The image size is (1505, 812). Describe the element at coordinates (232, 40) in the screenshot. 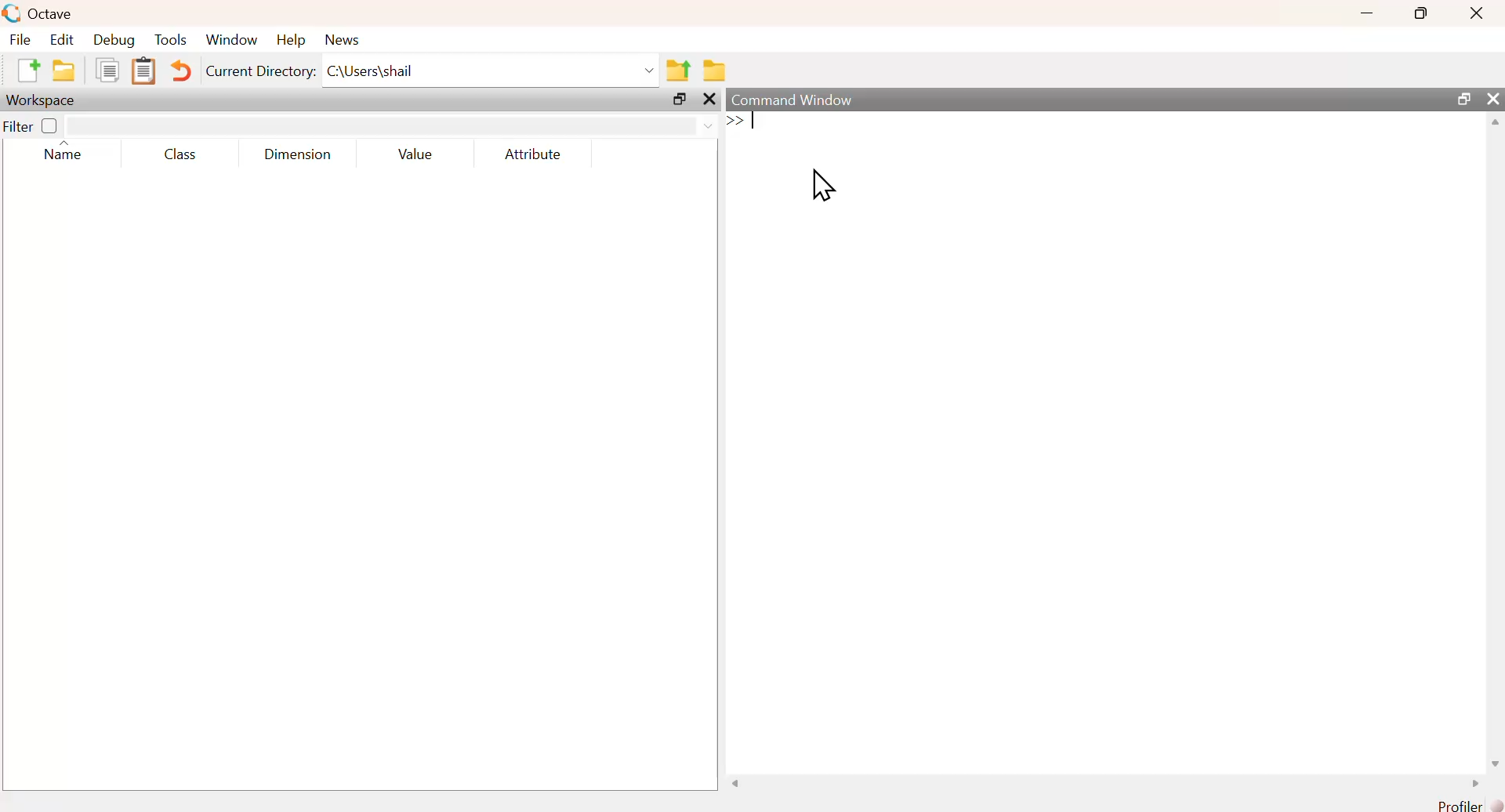

I see `Window` at that location.